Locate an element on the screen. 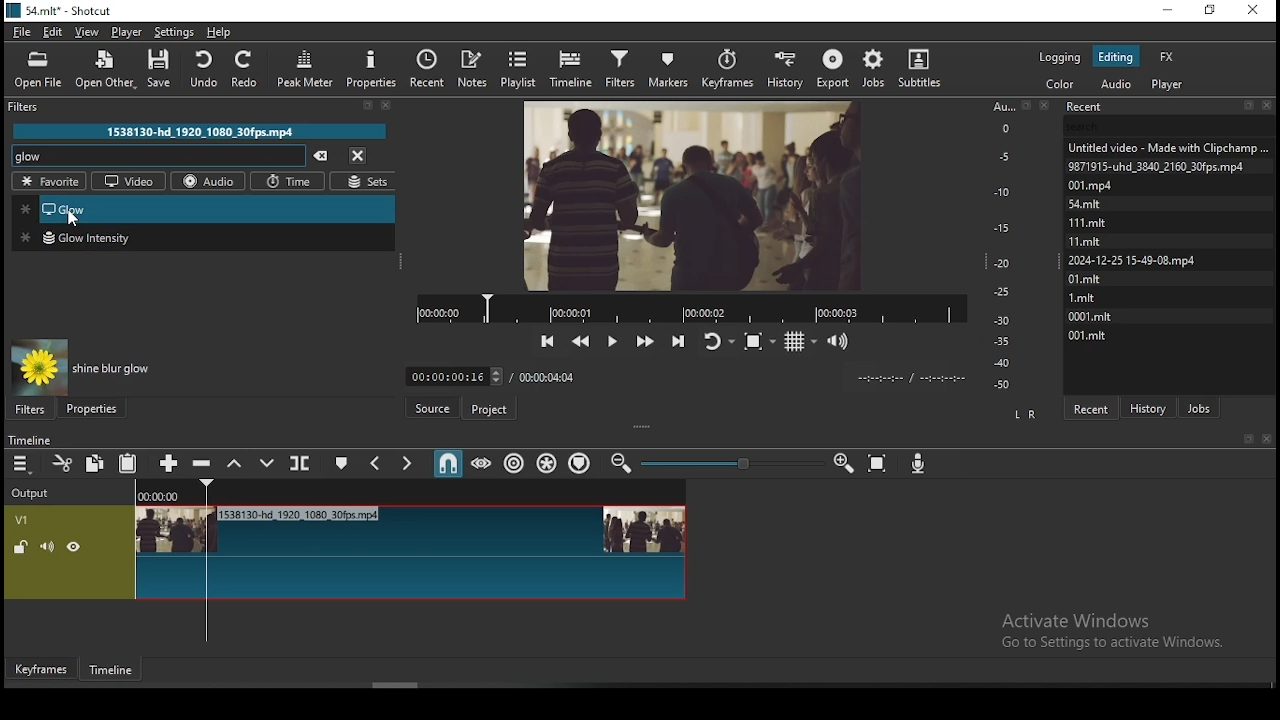  jobs is located at coordinates (871, 69).